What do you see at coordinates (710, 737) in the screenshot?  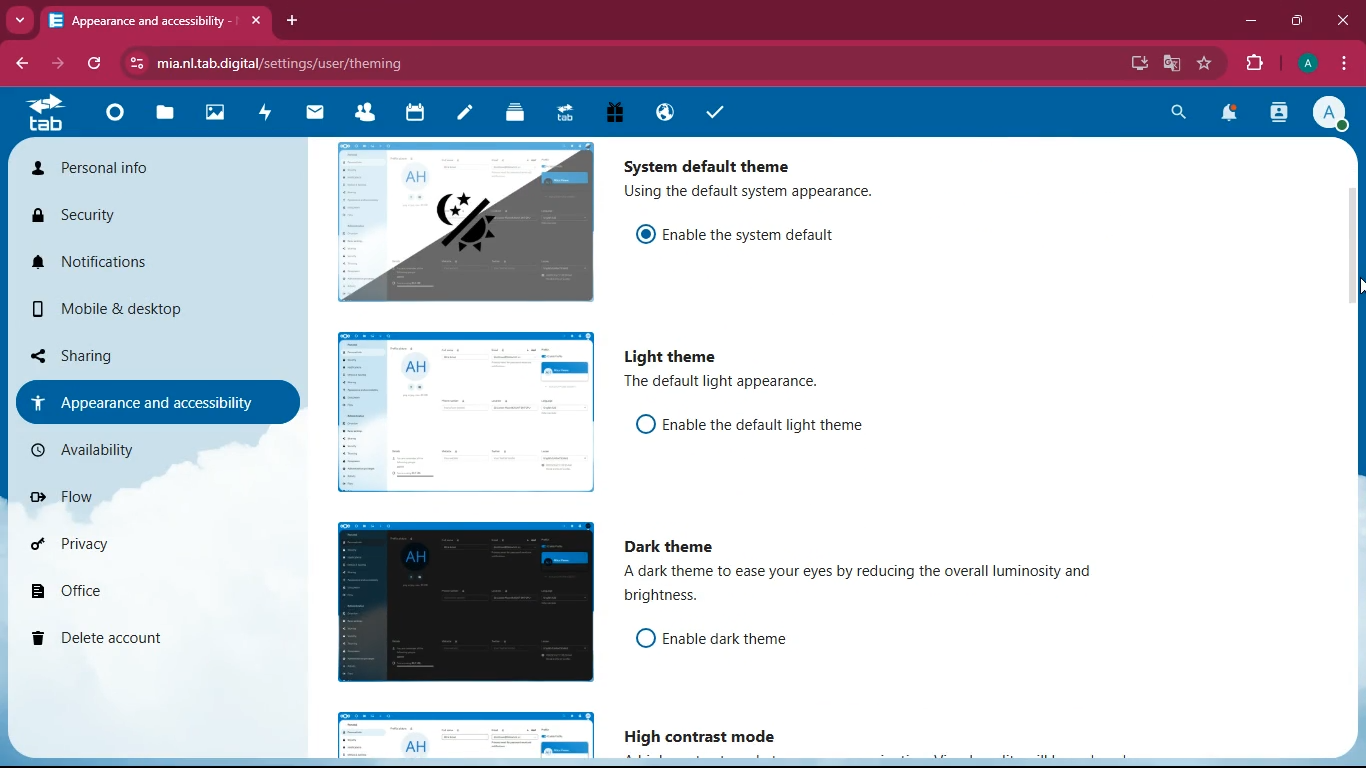 I see `high contrast` at bounding box center [710, 737].